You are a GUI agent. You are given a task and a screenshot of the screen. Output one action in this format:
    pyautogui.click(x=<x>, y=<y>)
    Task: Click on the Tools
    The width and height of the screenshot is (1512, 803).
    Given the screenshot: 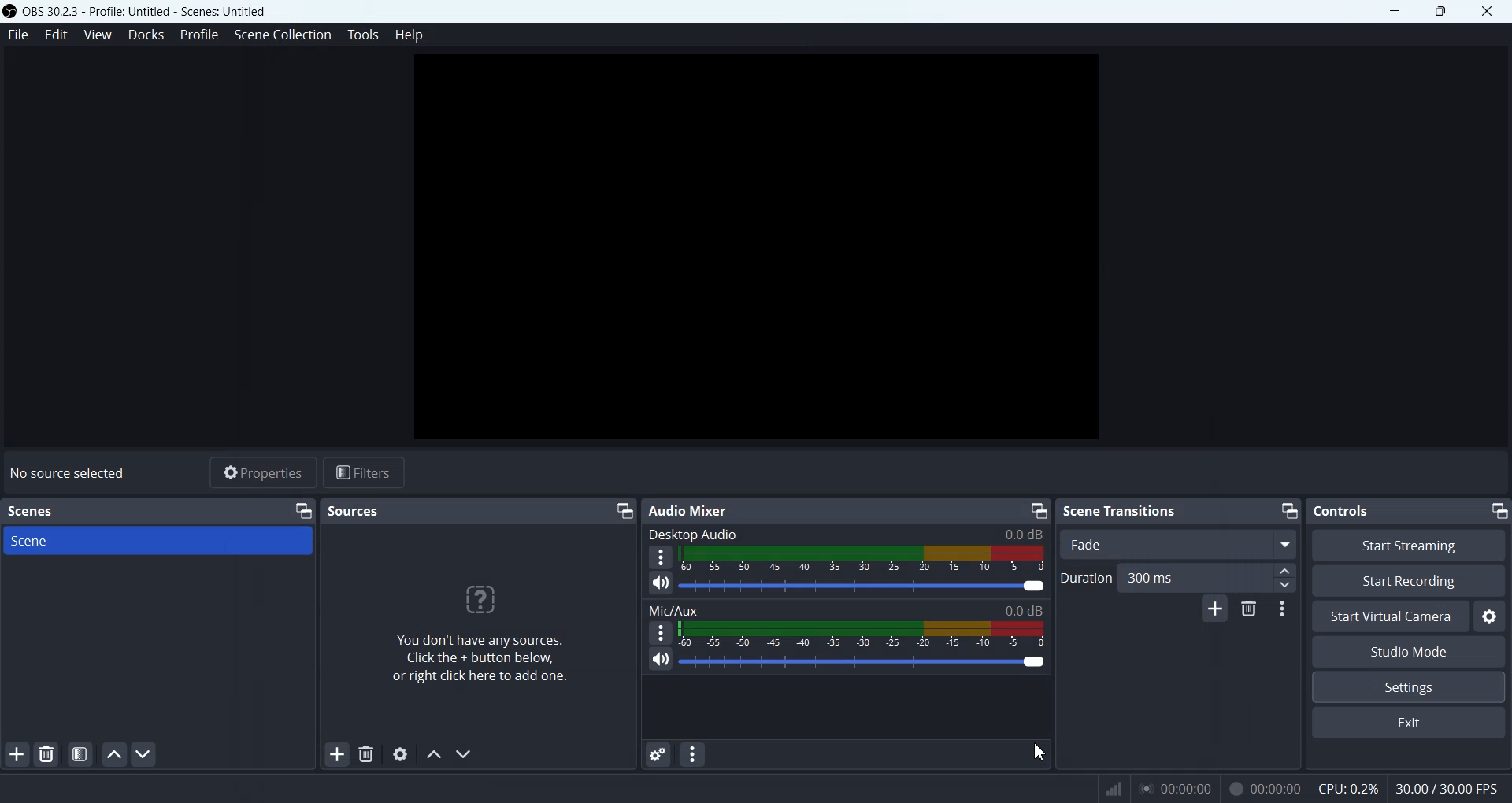 What is the action you would take?
    pyautogui.click(x=361, y=36)
    